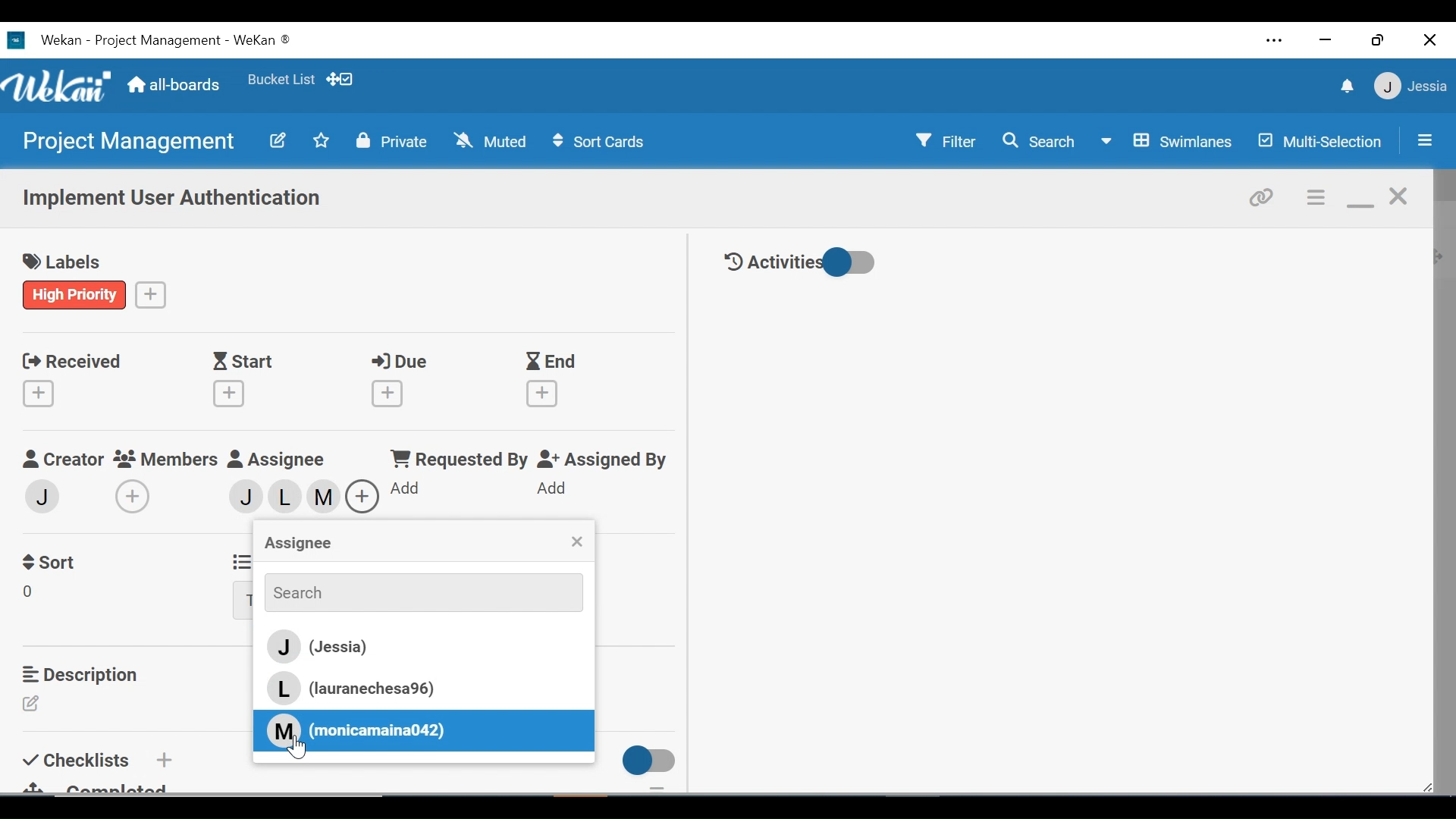  I want to click on Received Date, so click(71, 359).